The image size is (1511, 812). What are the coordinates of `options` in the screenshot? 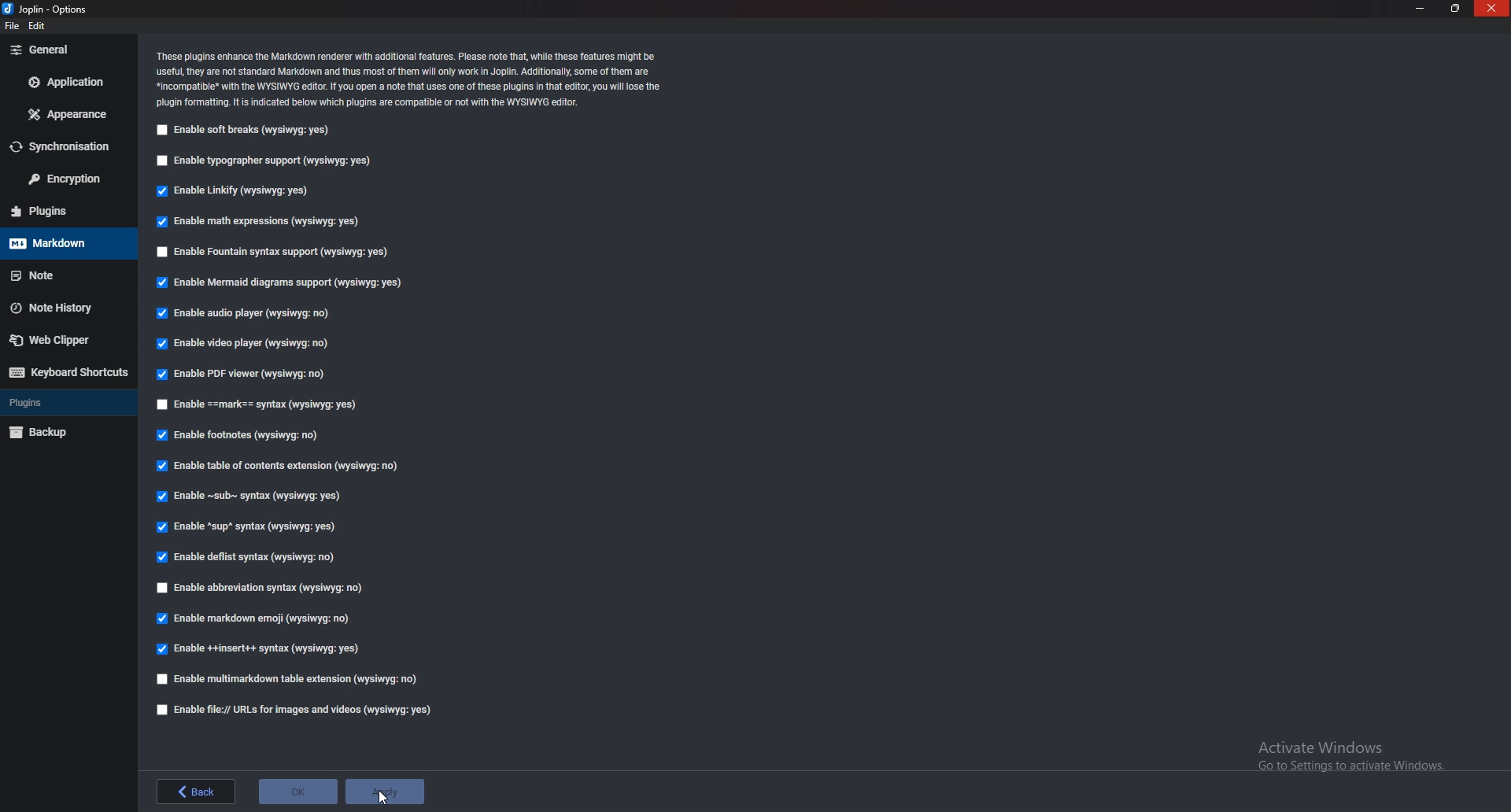 It's located at (53, 9).